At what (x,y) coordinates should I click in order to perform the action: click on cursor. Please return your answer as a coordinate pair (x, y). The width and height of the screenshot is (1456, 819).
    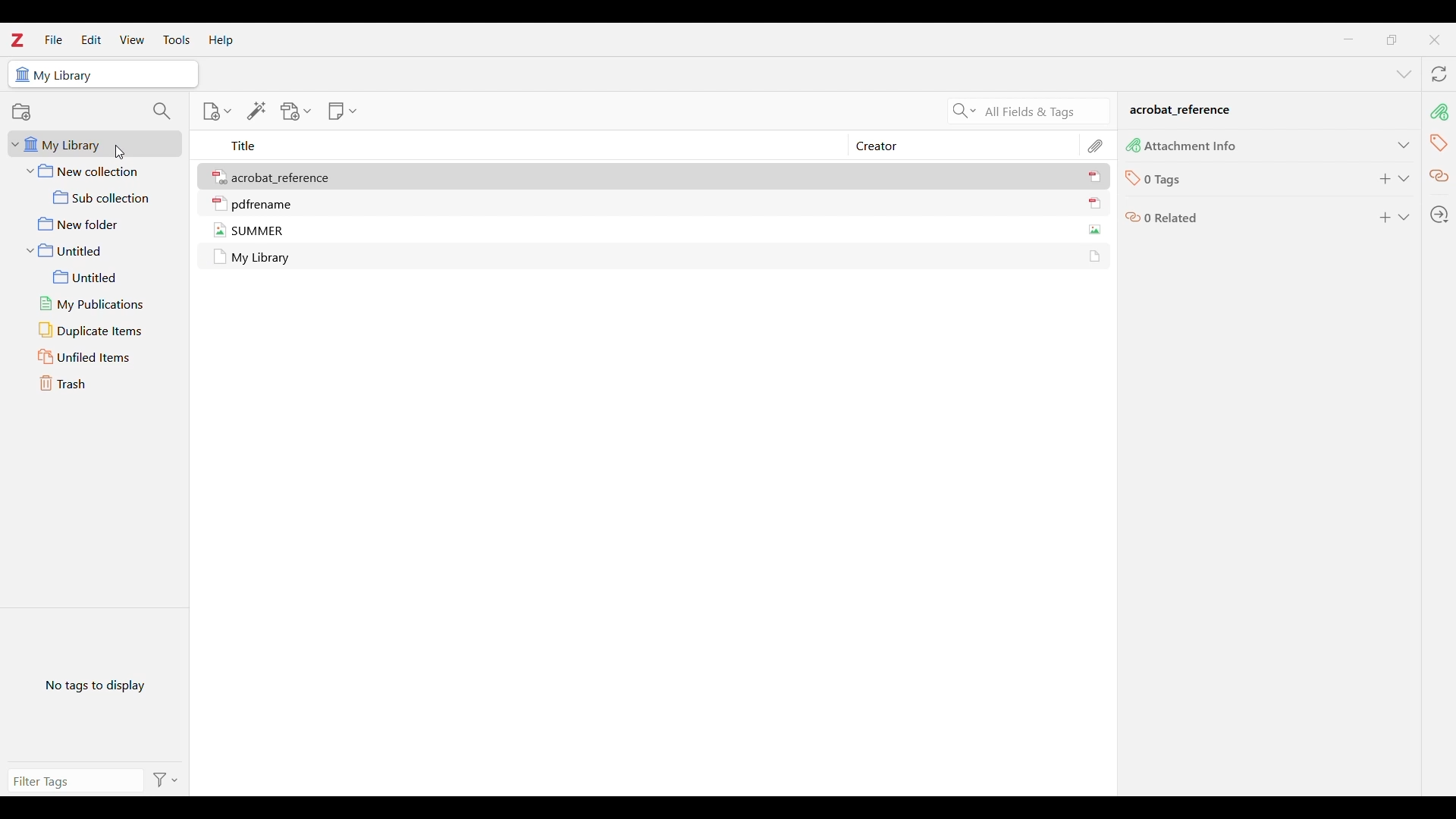
    Looking at the image, I should click on (119, 152).